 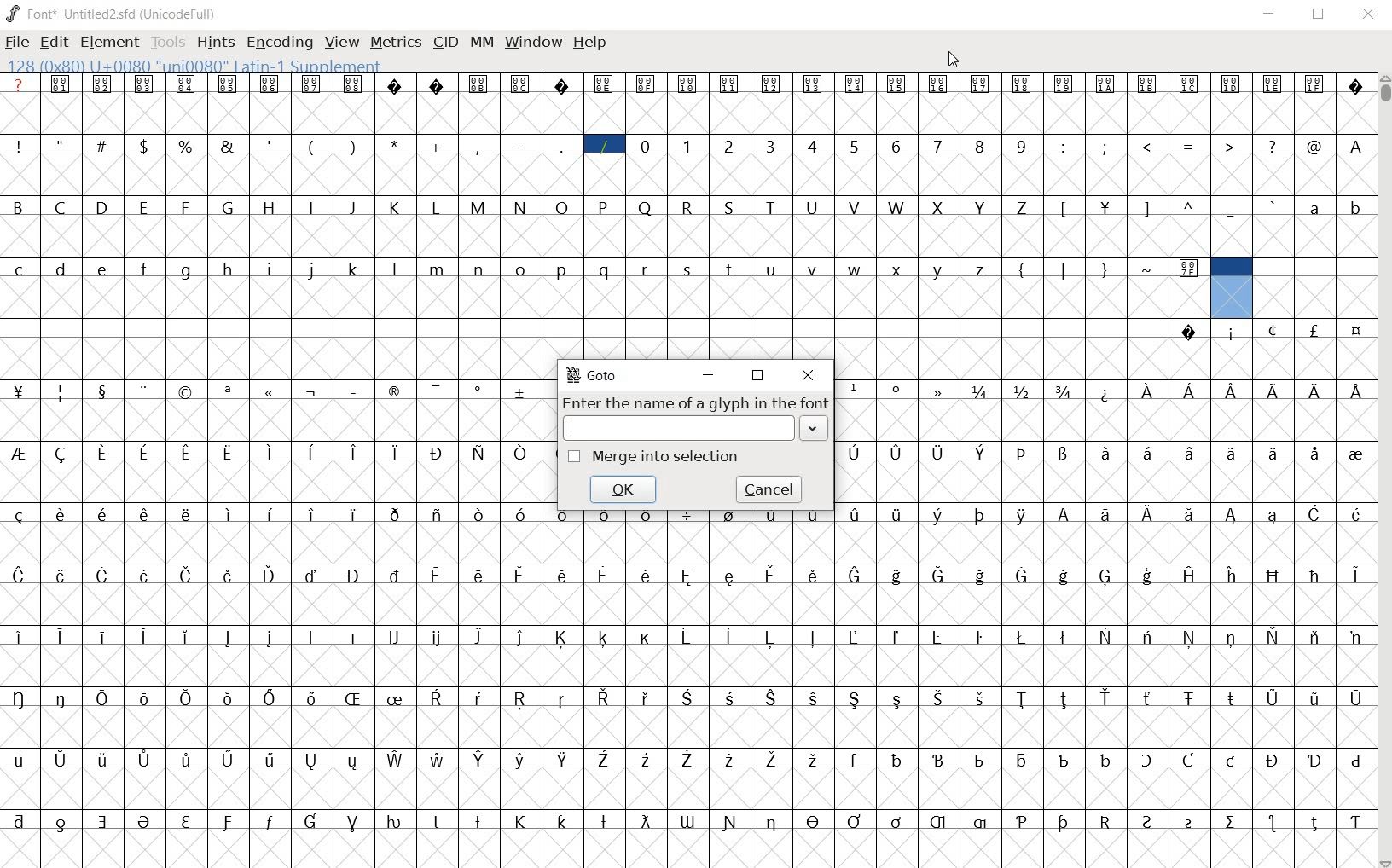 What do you see at coordinates (899, 391) in the screenshot?
I see `Symbol` at bounding box center [899, 391].